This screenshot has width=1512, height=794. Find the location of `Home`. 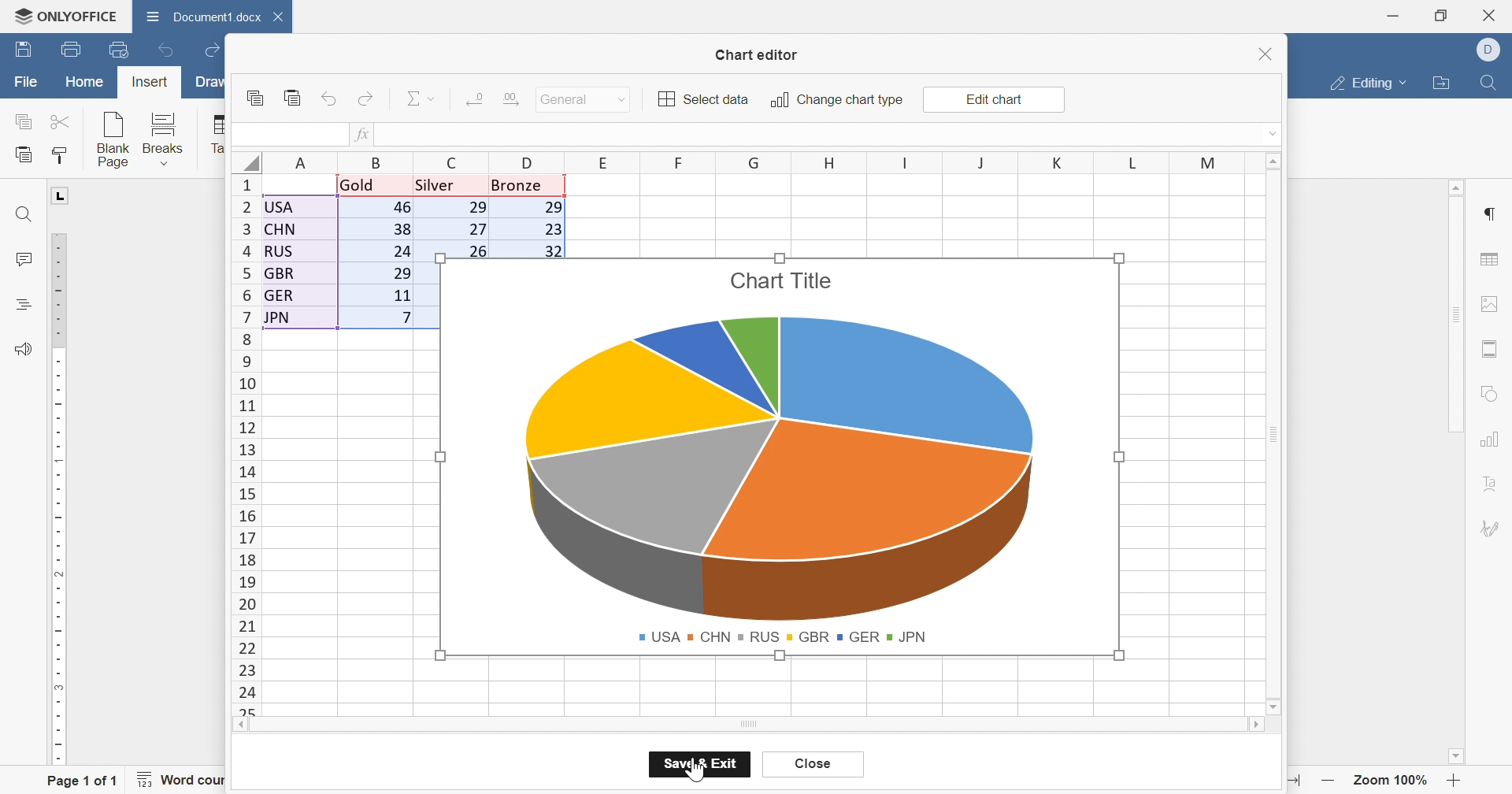

Home is located at coordinates (83, 83).